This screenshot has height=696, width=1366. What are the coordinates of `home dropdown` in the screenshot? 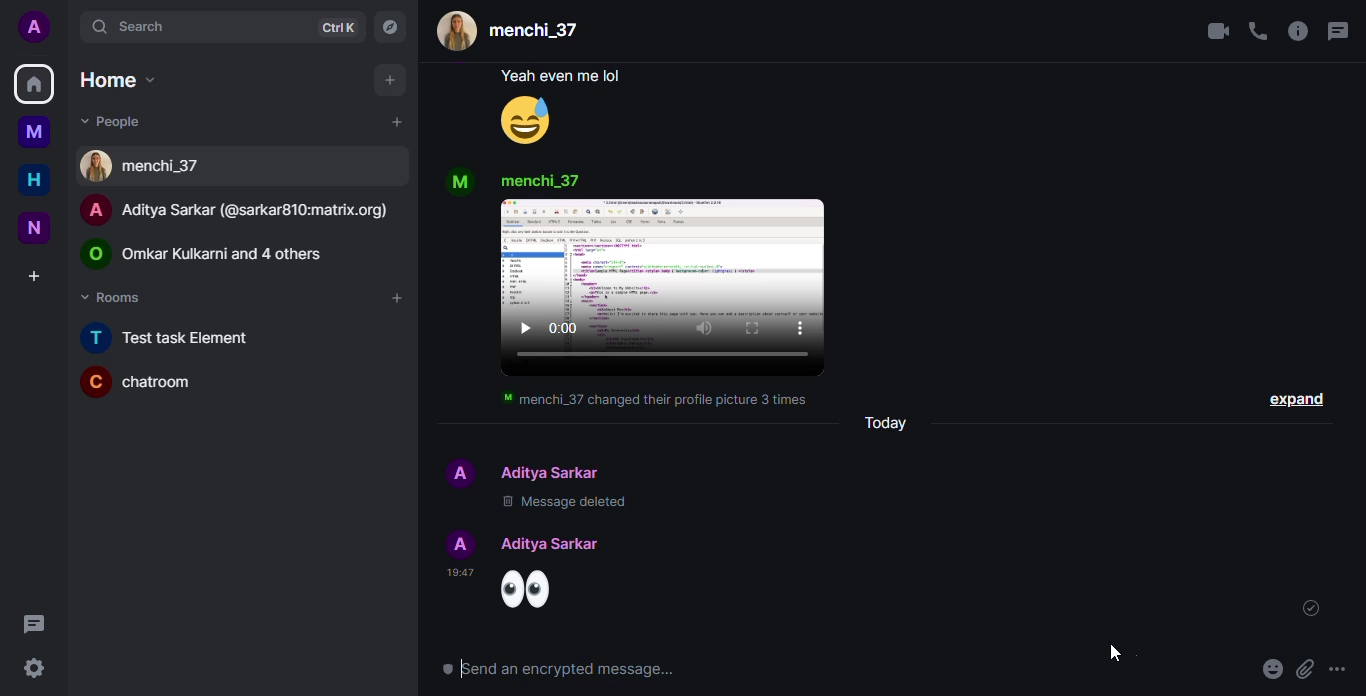 It's located at (112, 79).